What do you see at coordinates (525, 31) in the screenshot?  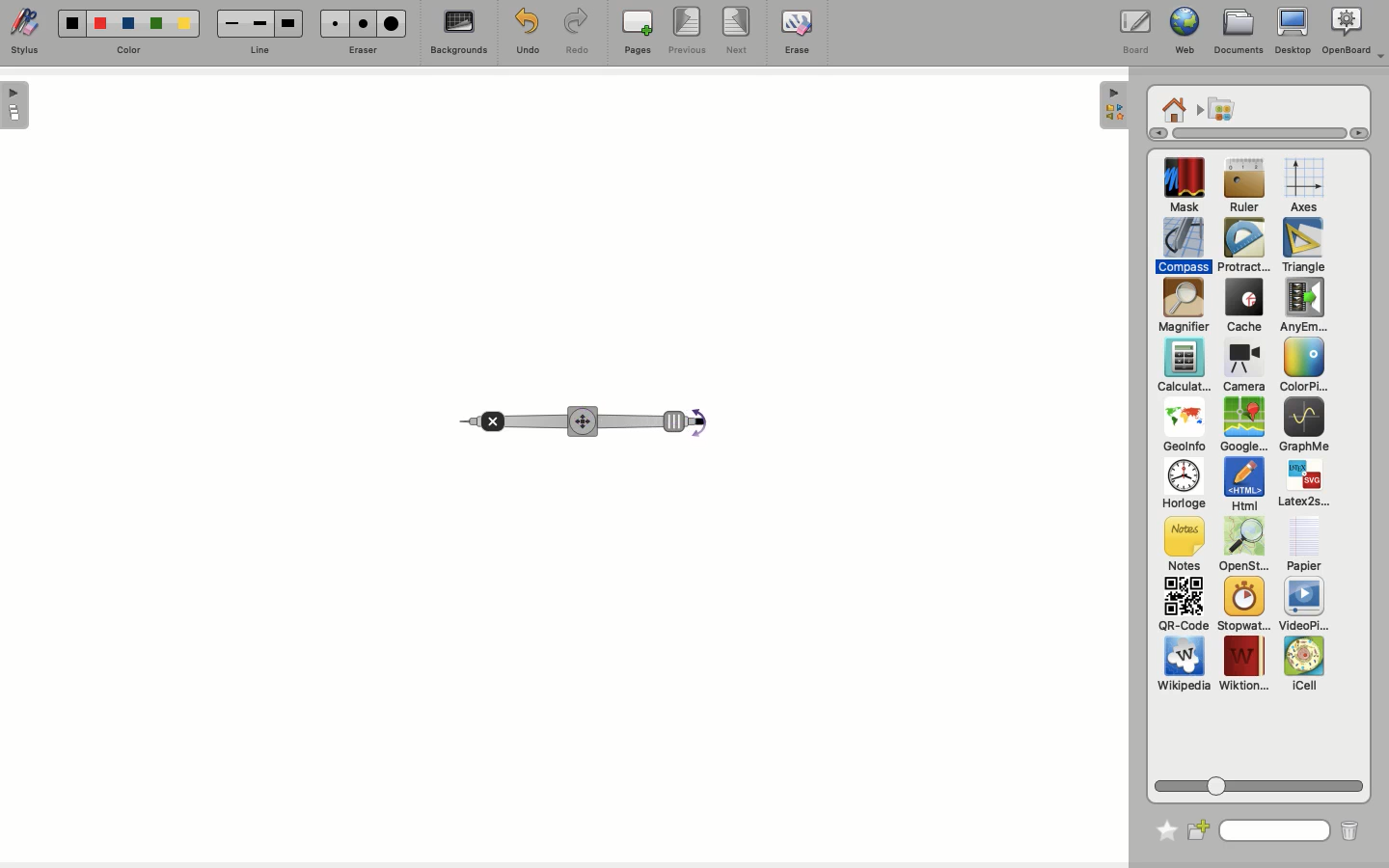 I see `Undo` at bounding box center [525, 31].